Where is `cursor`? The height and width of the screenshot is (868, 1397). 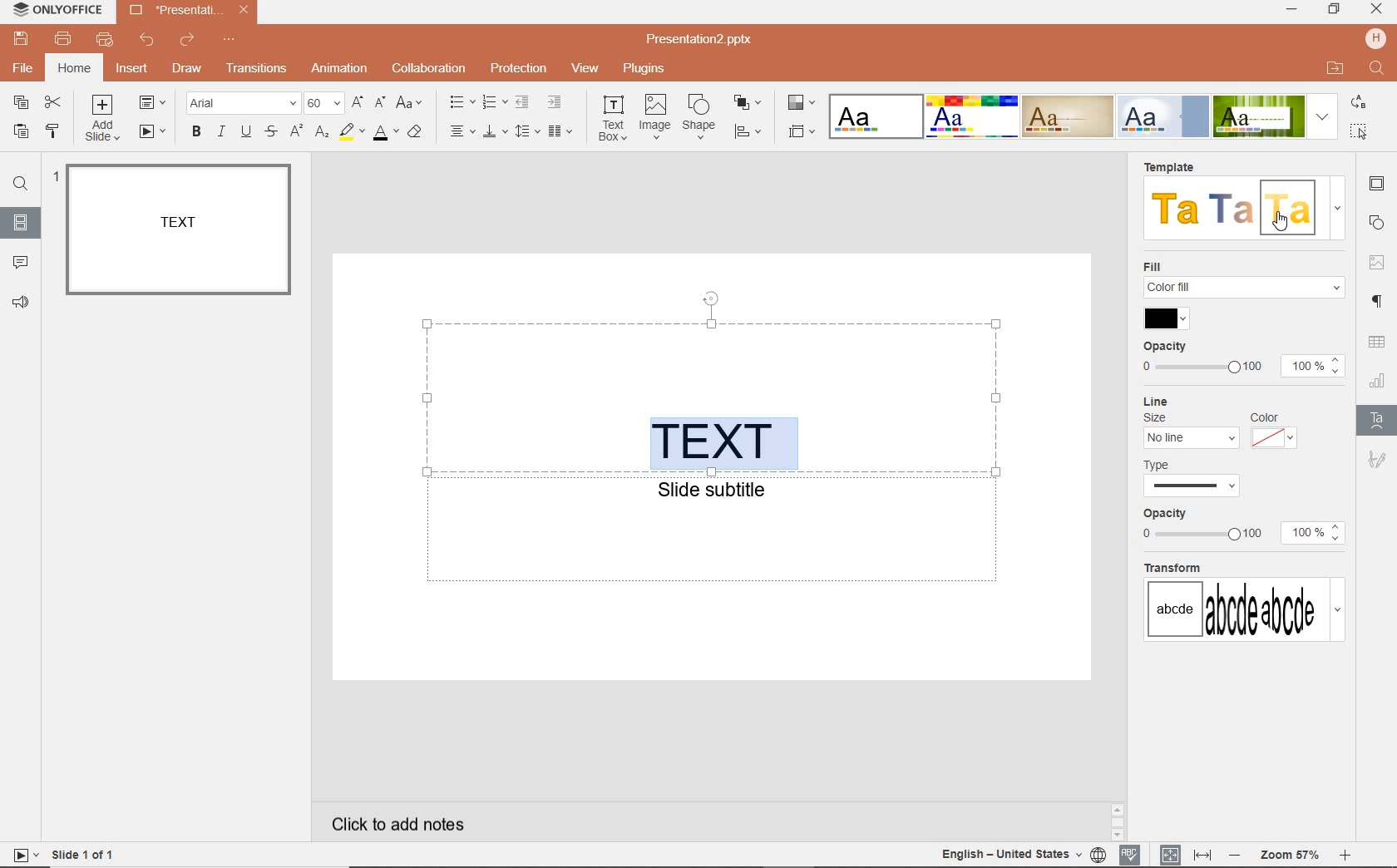 cursor is located at coordinates (1277, 223).